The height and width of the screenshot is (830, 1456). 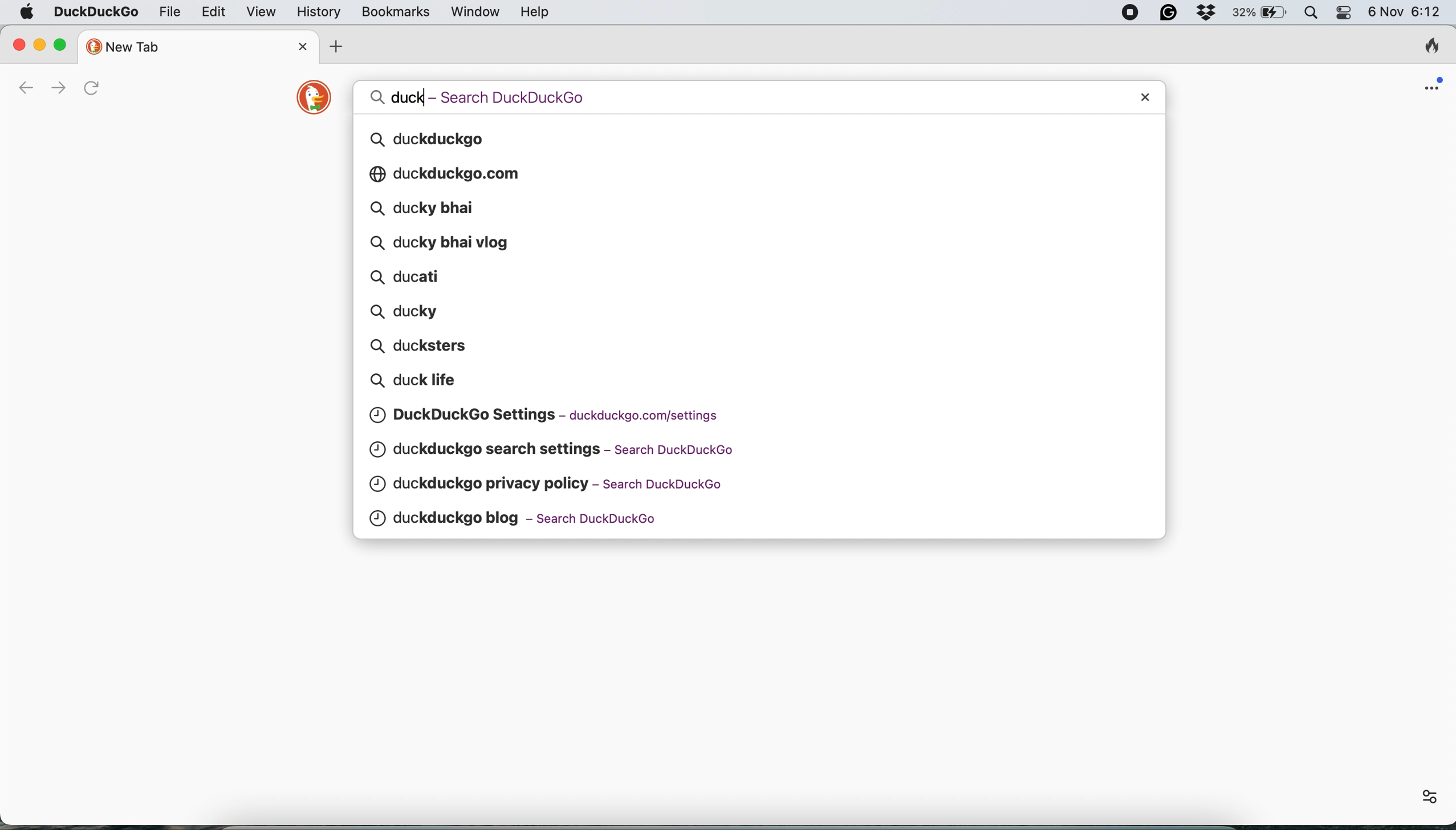 What do you see at coordinates (436, 140) in the screenshot?
I see `duckduckgo` at bounding box center [436, 140].